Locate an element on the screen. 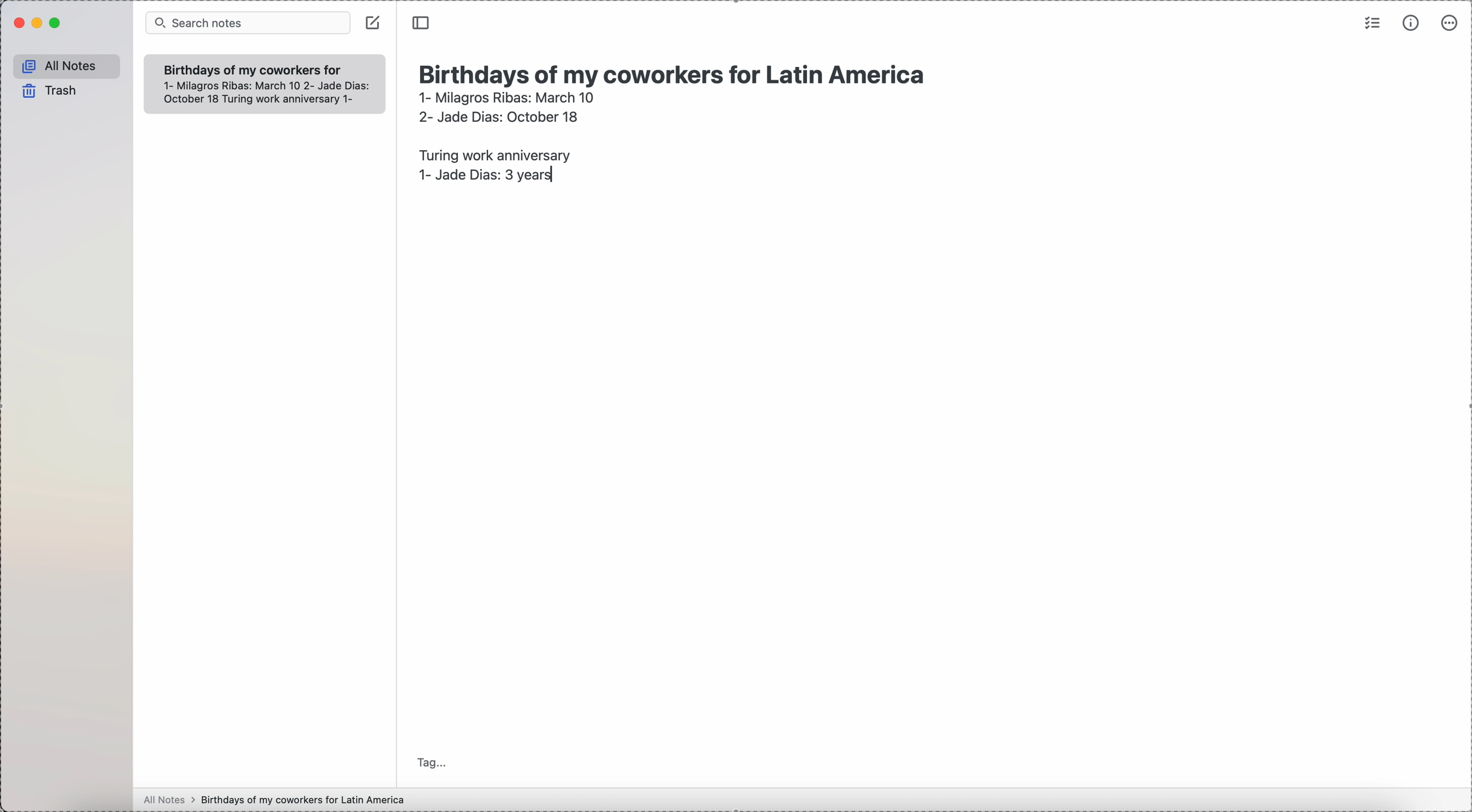  toggle side bar is located at coordinates (422, 23).